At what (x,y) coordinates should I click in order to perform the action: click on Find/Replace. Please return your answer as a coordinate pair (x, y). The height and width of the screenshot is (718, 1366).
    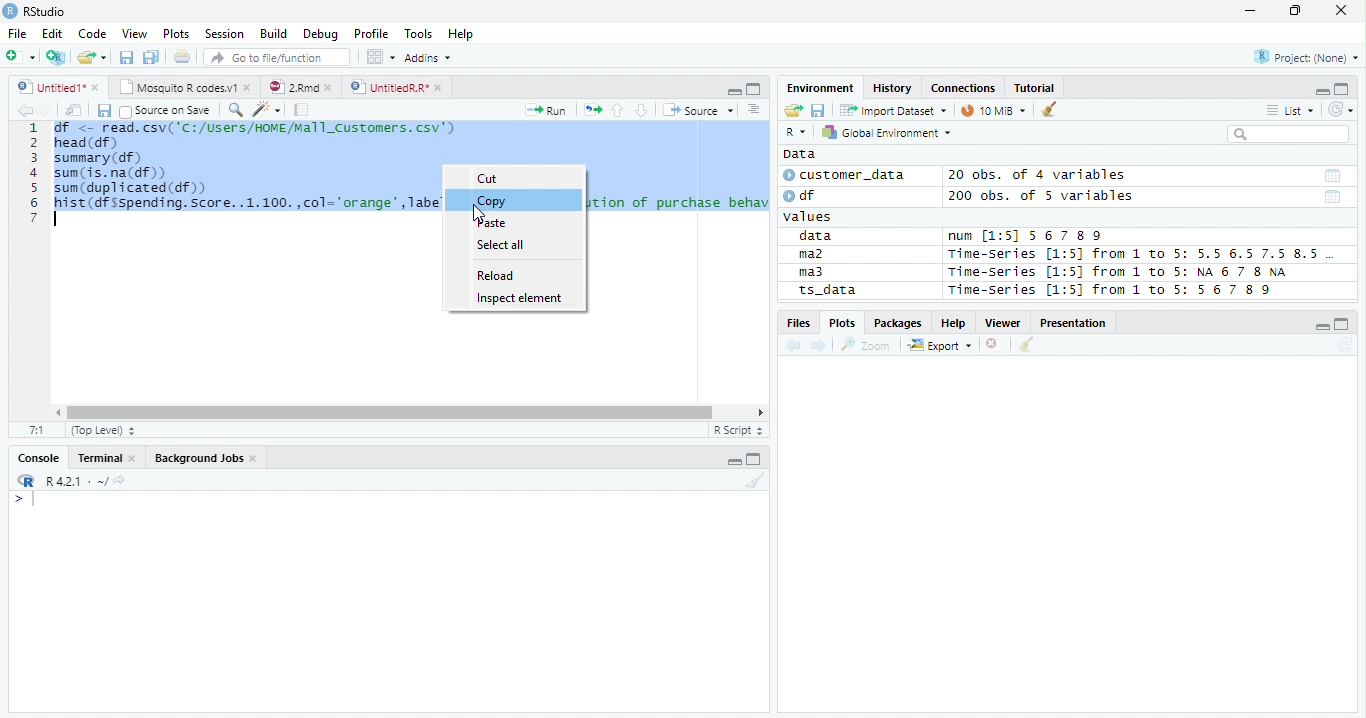
    Looking at the image, I should click on (234, 109).